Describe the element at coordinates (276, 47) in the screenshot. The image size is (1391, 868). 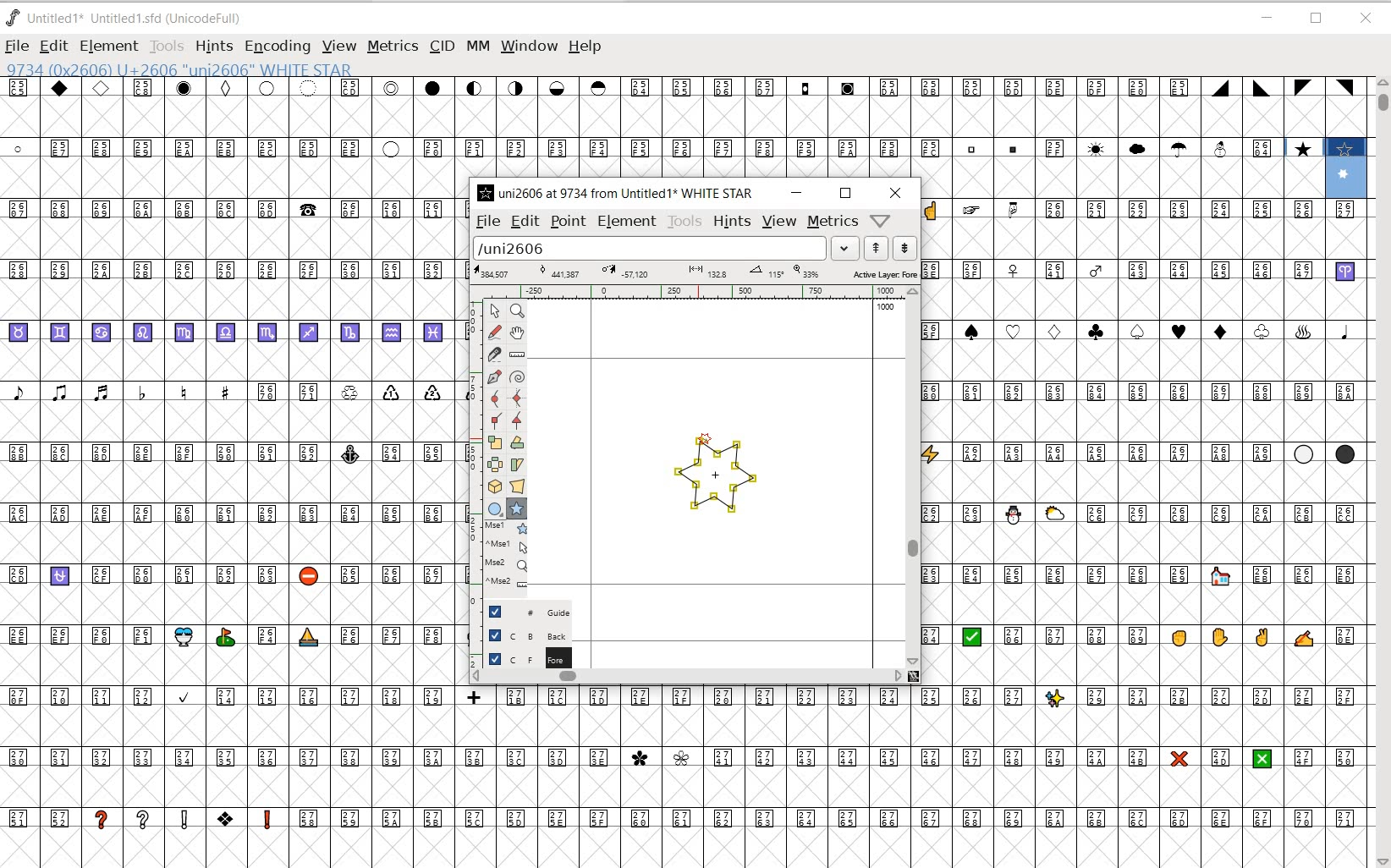
I see `ENCODING` at that location.